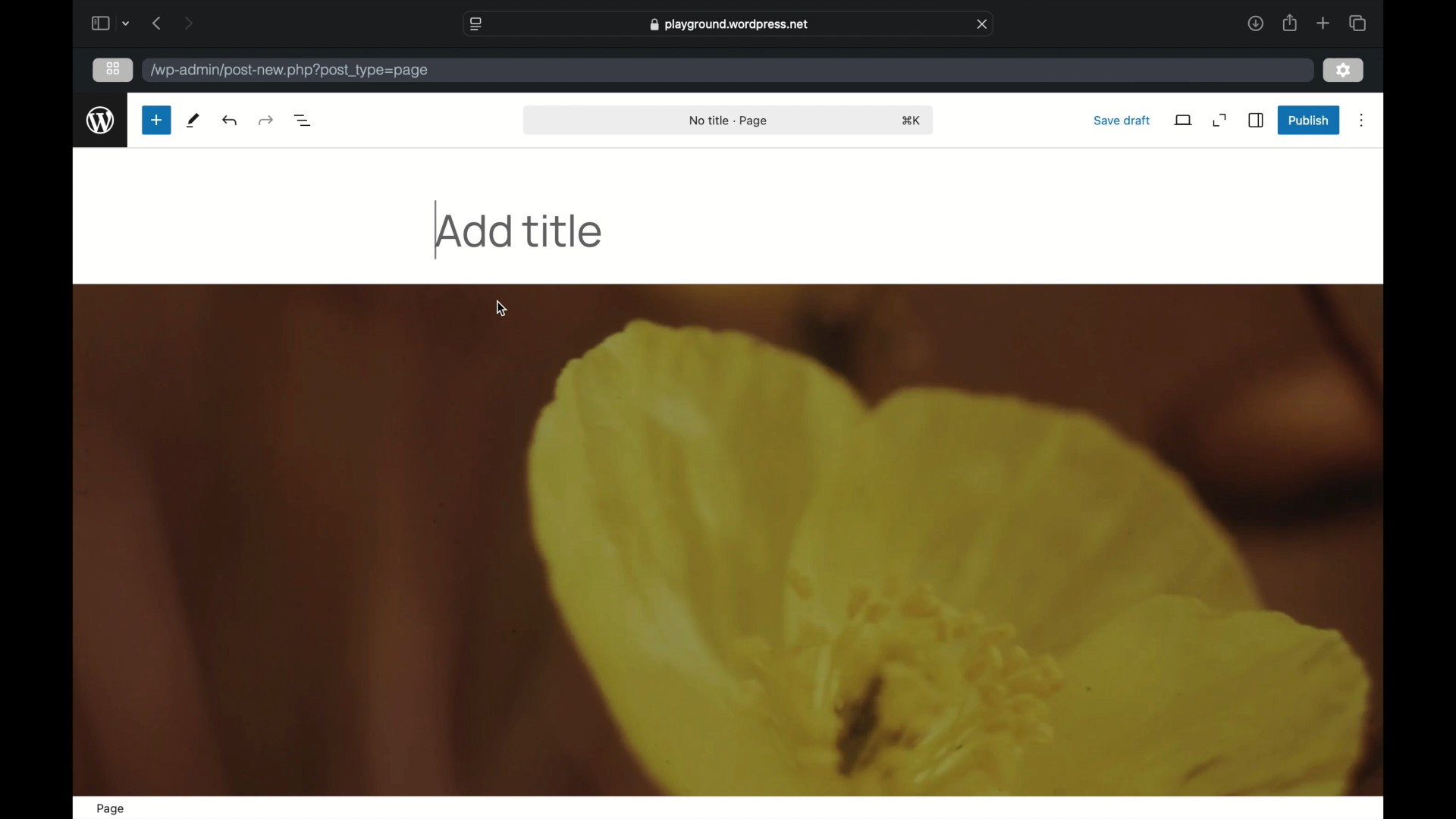  What do you see at coordinates (188, 22) in the screenshot?
I see `next page` at bounding box center [188, 22].